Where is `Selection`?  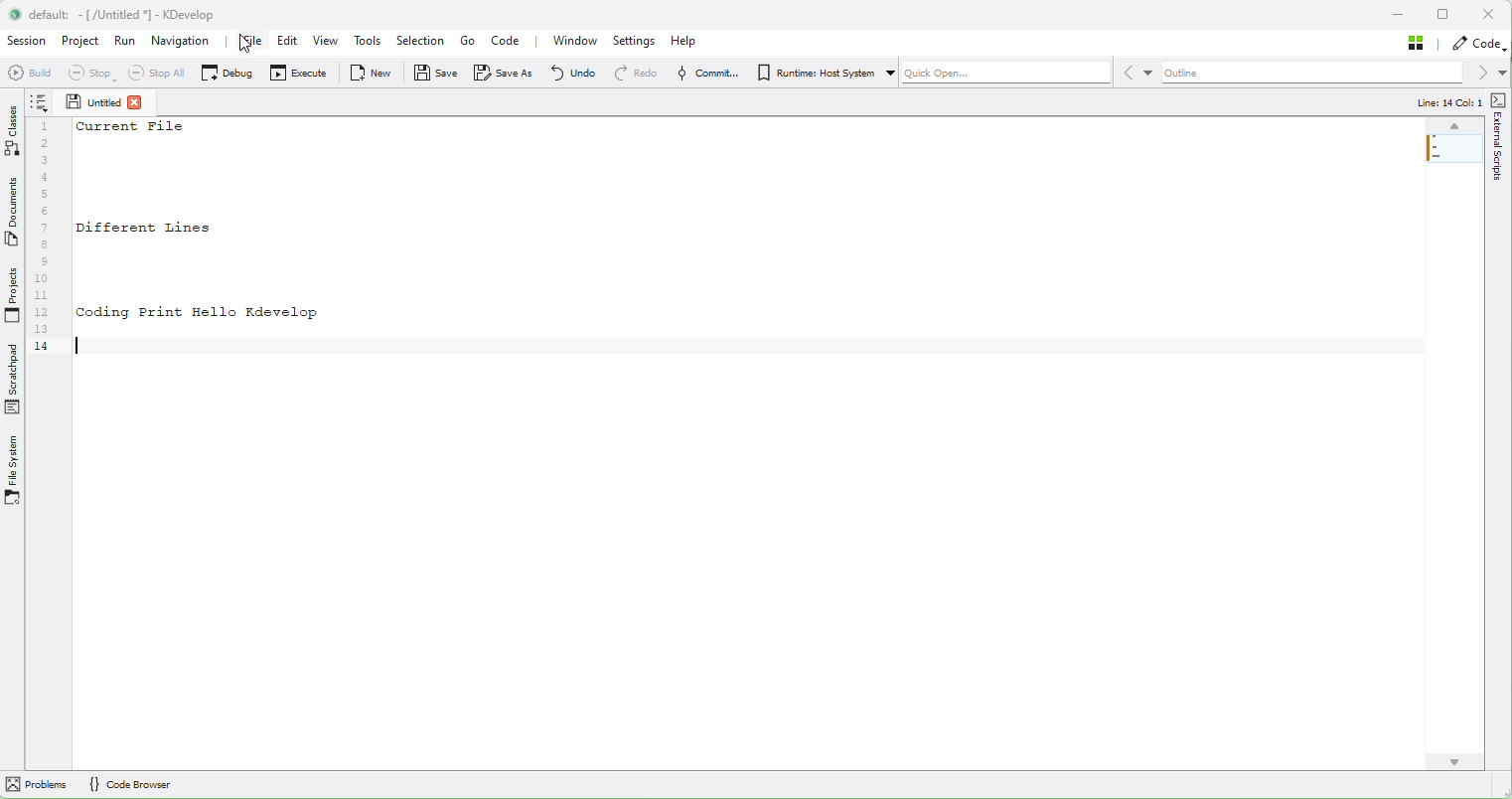 Selection is located at coordinates (424, 41).